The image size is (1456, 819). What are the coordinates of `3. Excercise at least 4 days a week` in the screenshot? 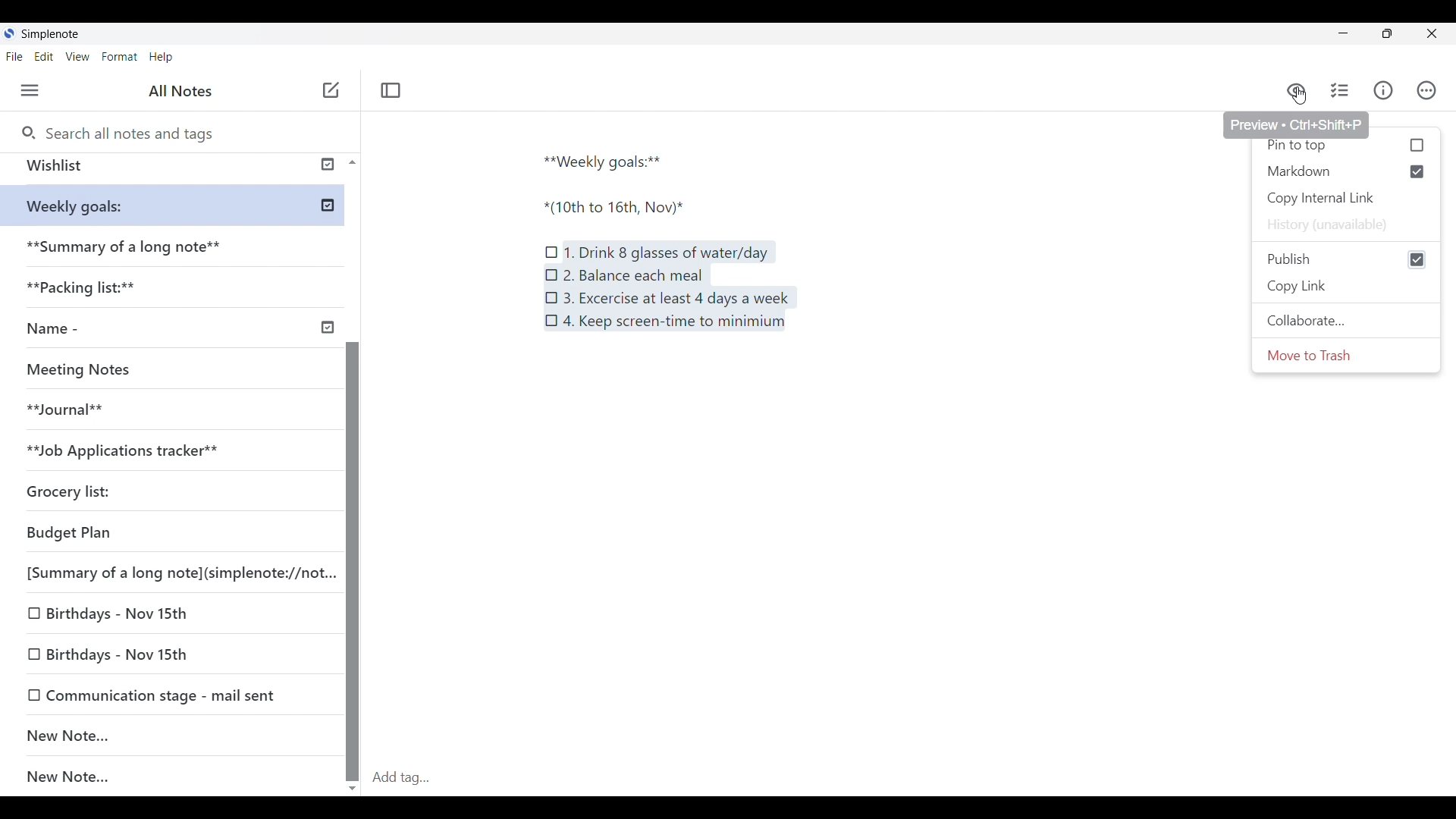 It's located at (676, 299).